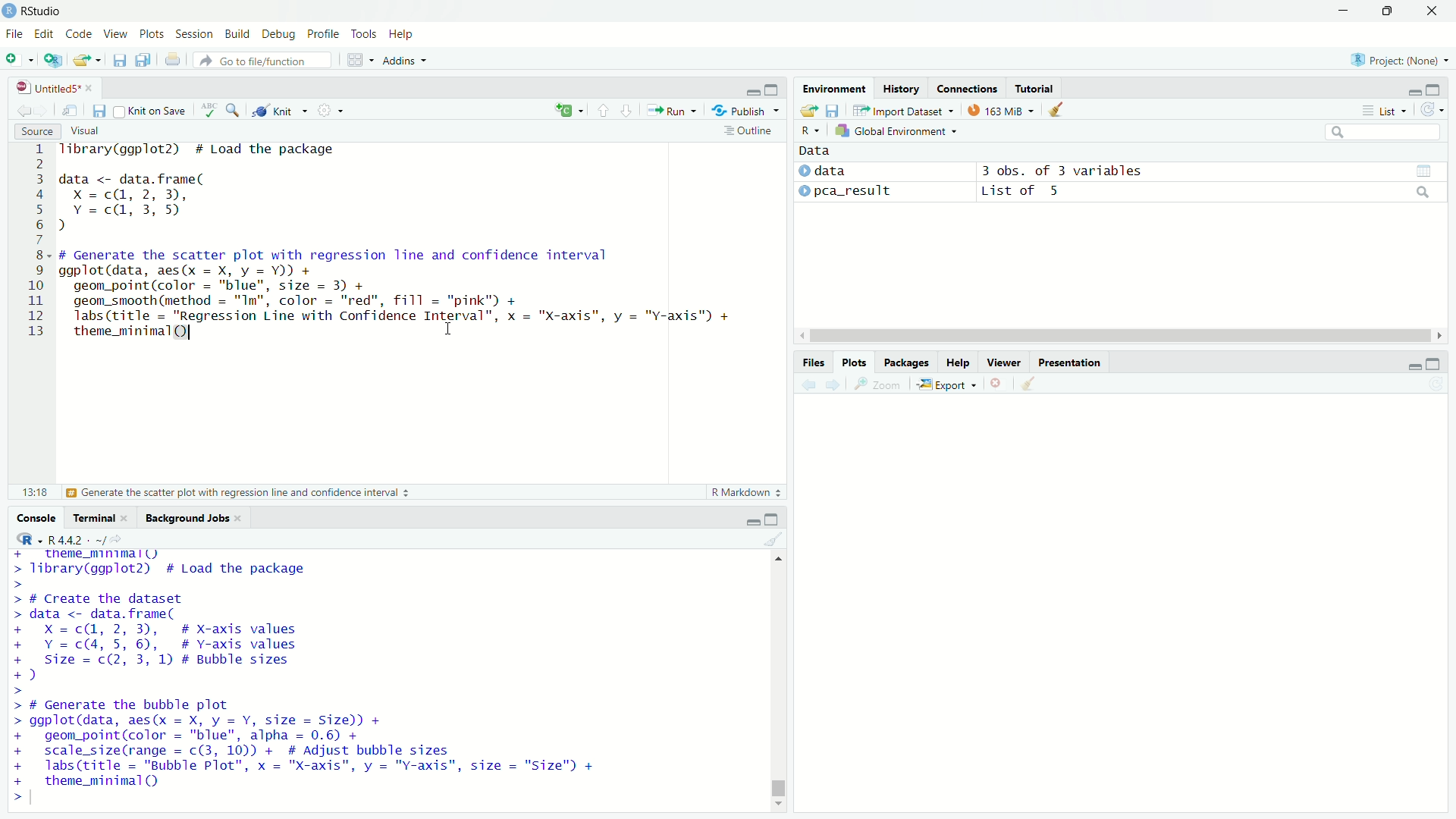 This screenshot has height=819, width=1456. What do you see at coordinates (1062, 171) in the screenshot?
I see `3 obs. of 3 variables` at bounding box center [1062, 171].